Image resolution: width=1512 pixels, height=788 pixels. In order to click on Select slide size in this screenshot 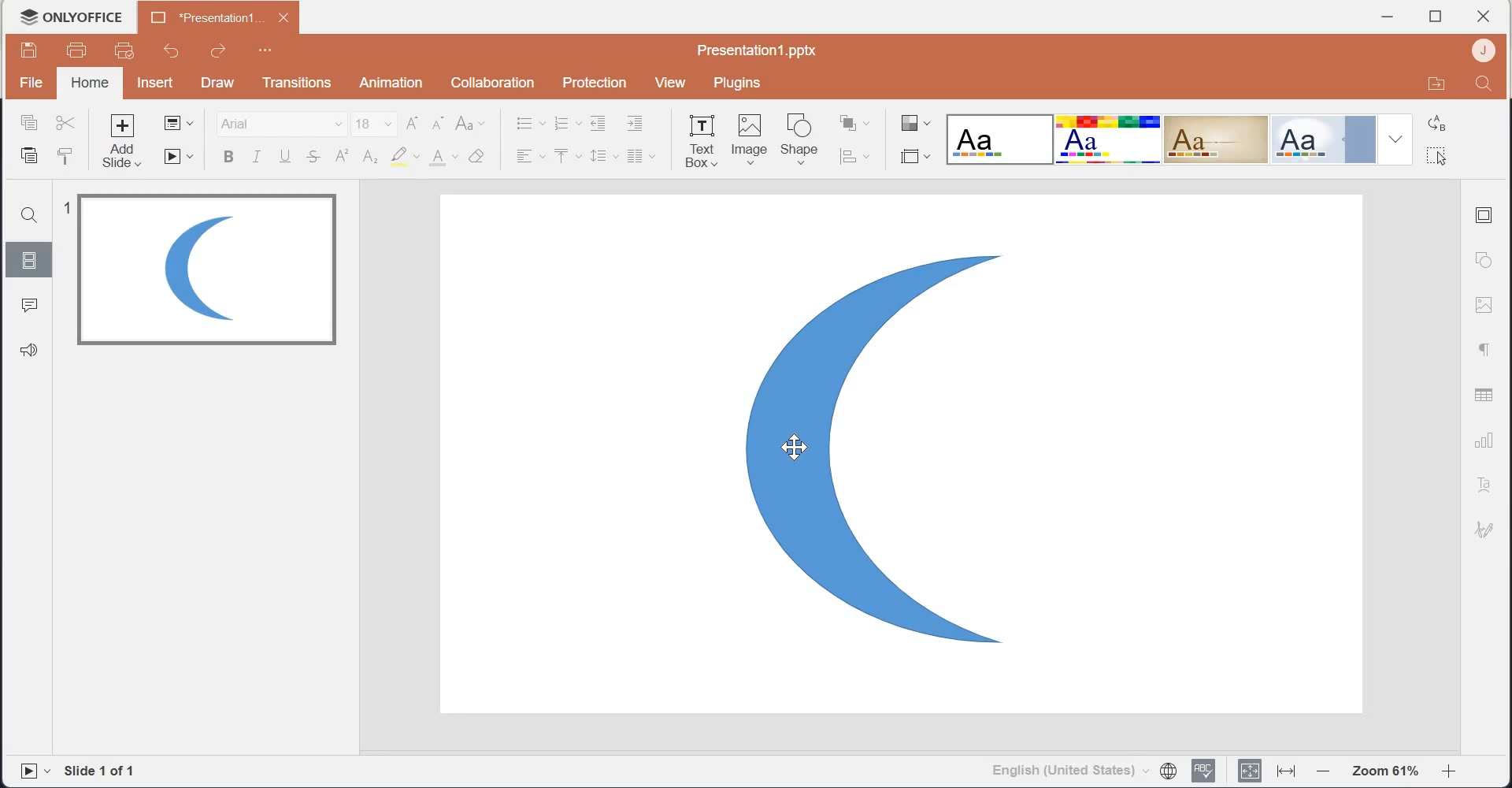, I will do `click(914, 158)`.